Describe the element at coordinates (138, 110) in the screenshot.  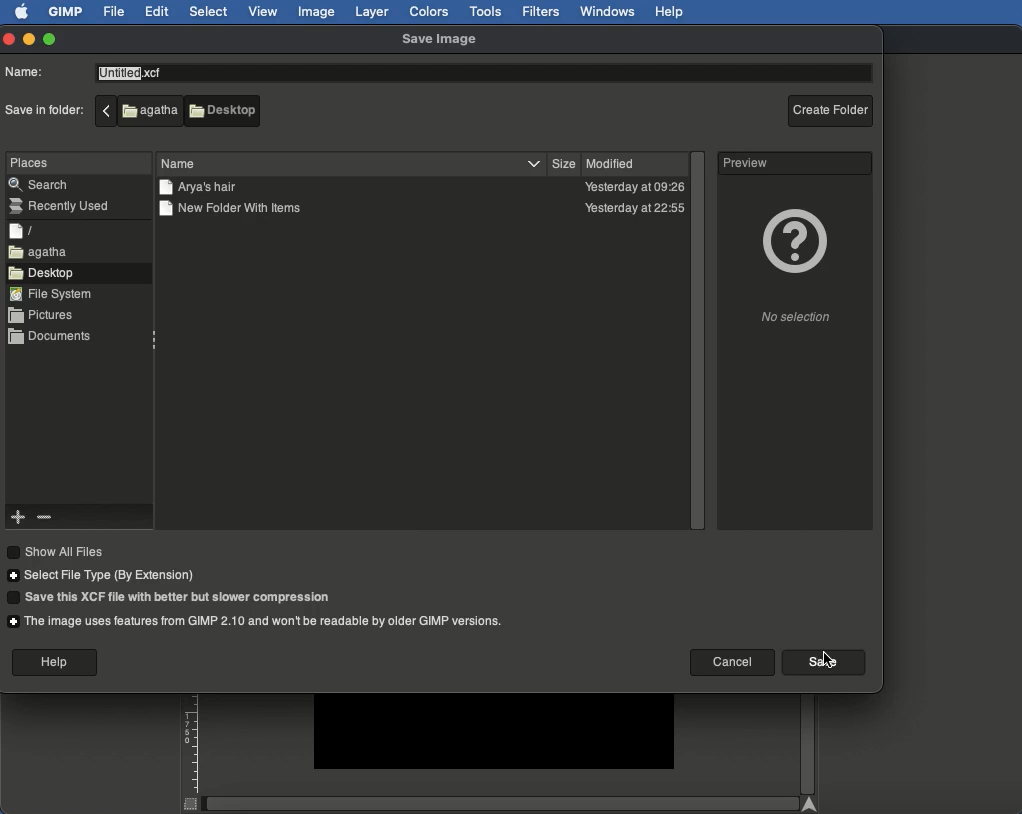
I see `Macbook` at that location.